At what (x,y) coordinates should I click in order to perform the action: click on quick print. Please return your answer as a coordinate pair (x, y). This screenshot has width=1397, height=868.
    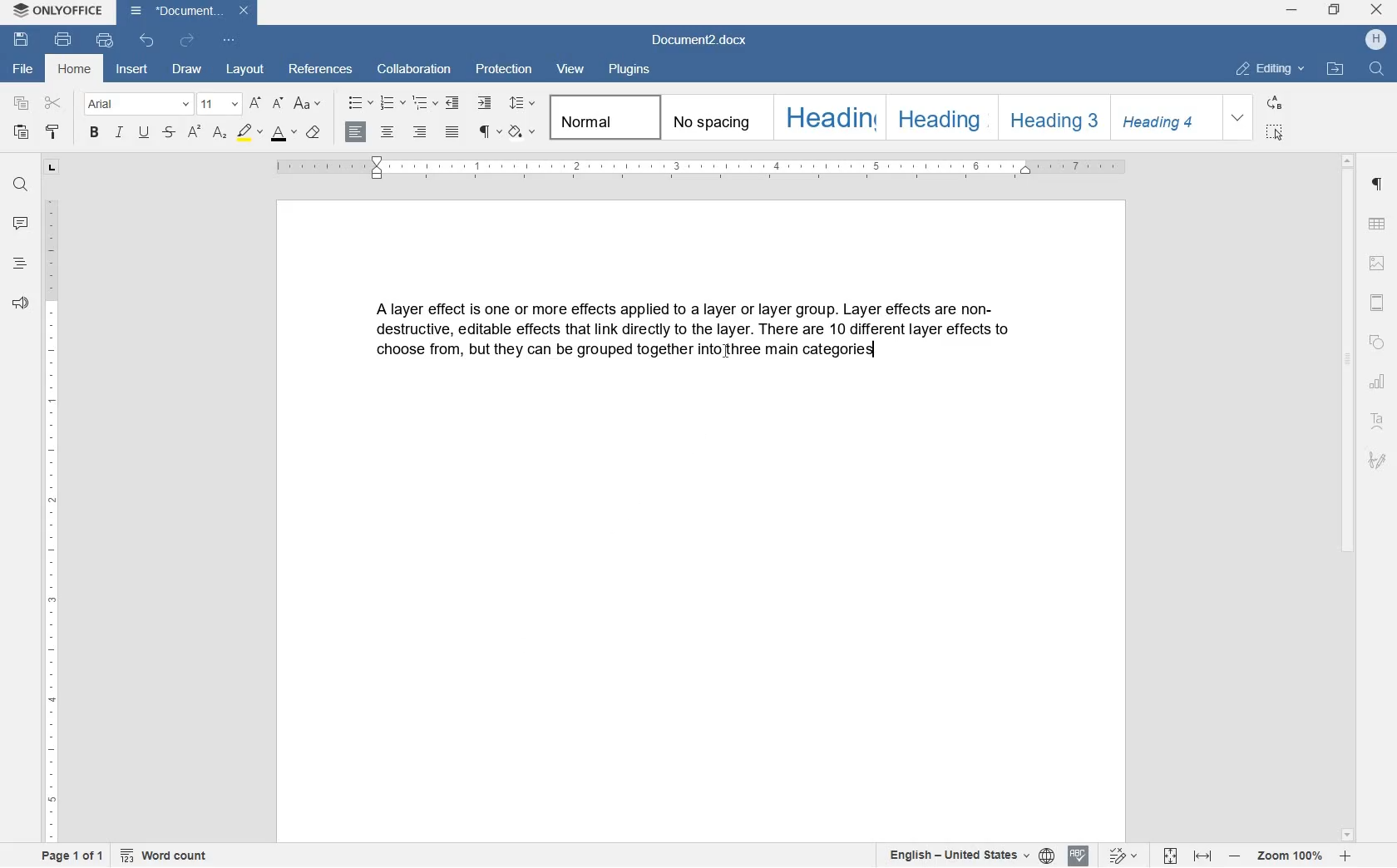
    Looking at the image, I should click on (105, 41).